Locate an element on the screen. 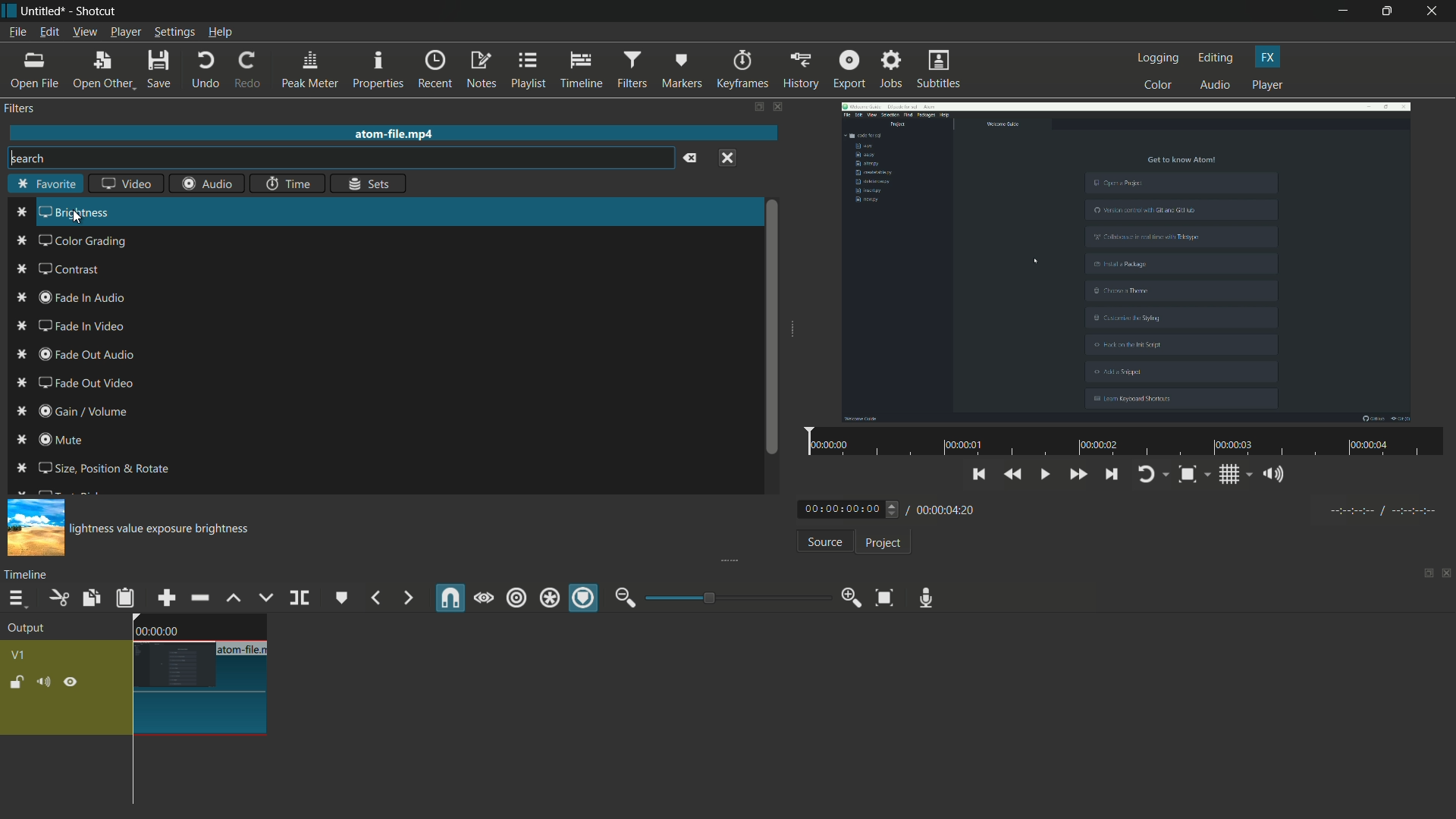 The width and height of the screenshot is (1456, 819). edit menu is located at coordinates (47, 33).